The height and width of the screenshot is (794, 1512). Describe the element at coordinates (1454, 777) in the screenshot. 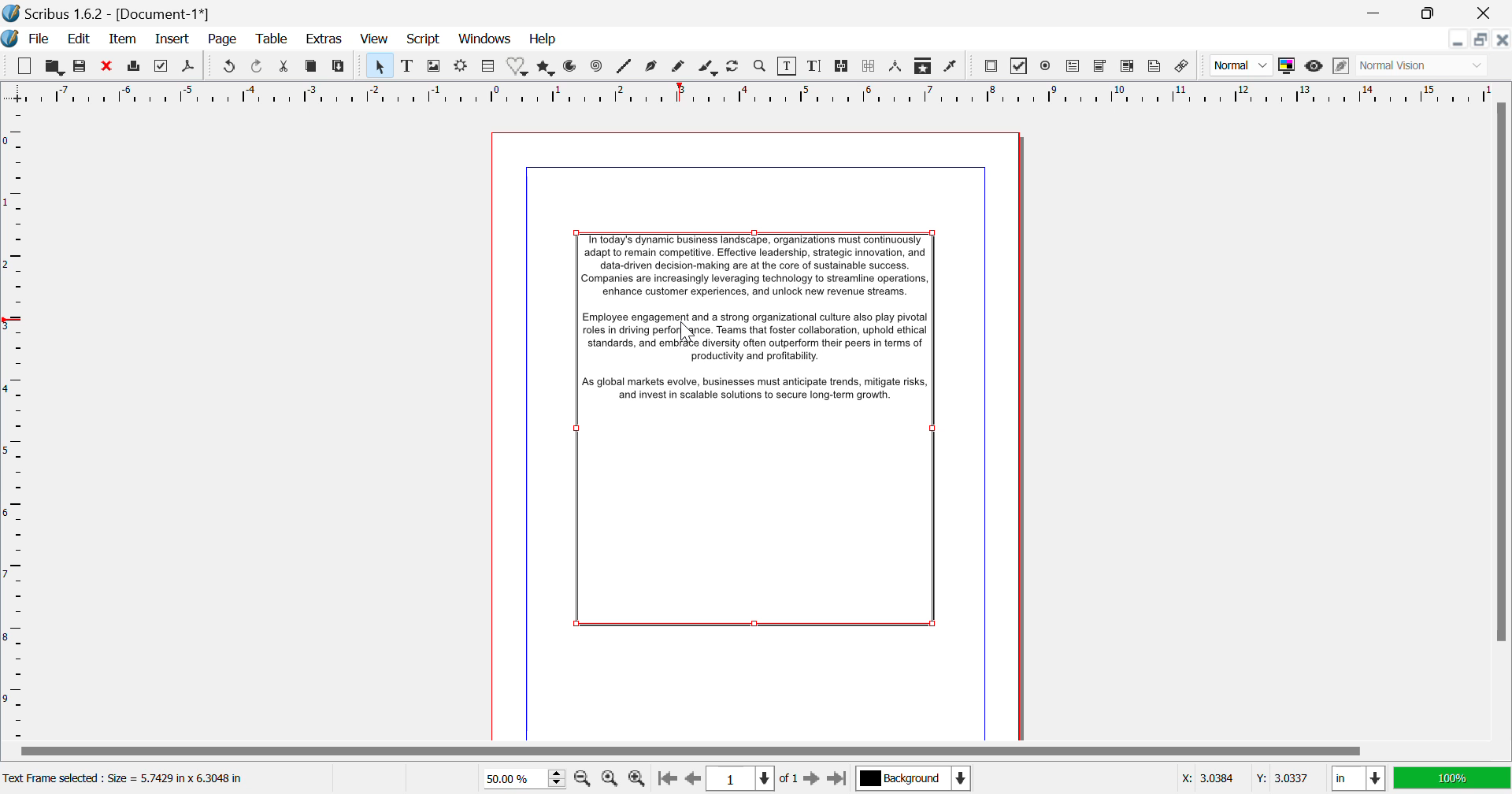

I see `Display Appearance` at that location.